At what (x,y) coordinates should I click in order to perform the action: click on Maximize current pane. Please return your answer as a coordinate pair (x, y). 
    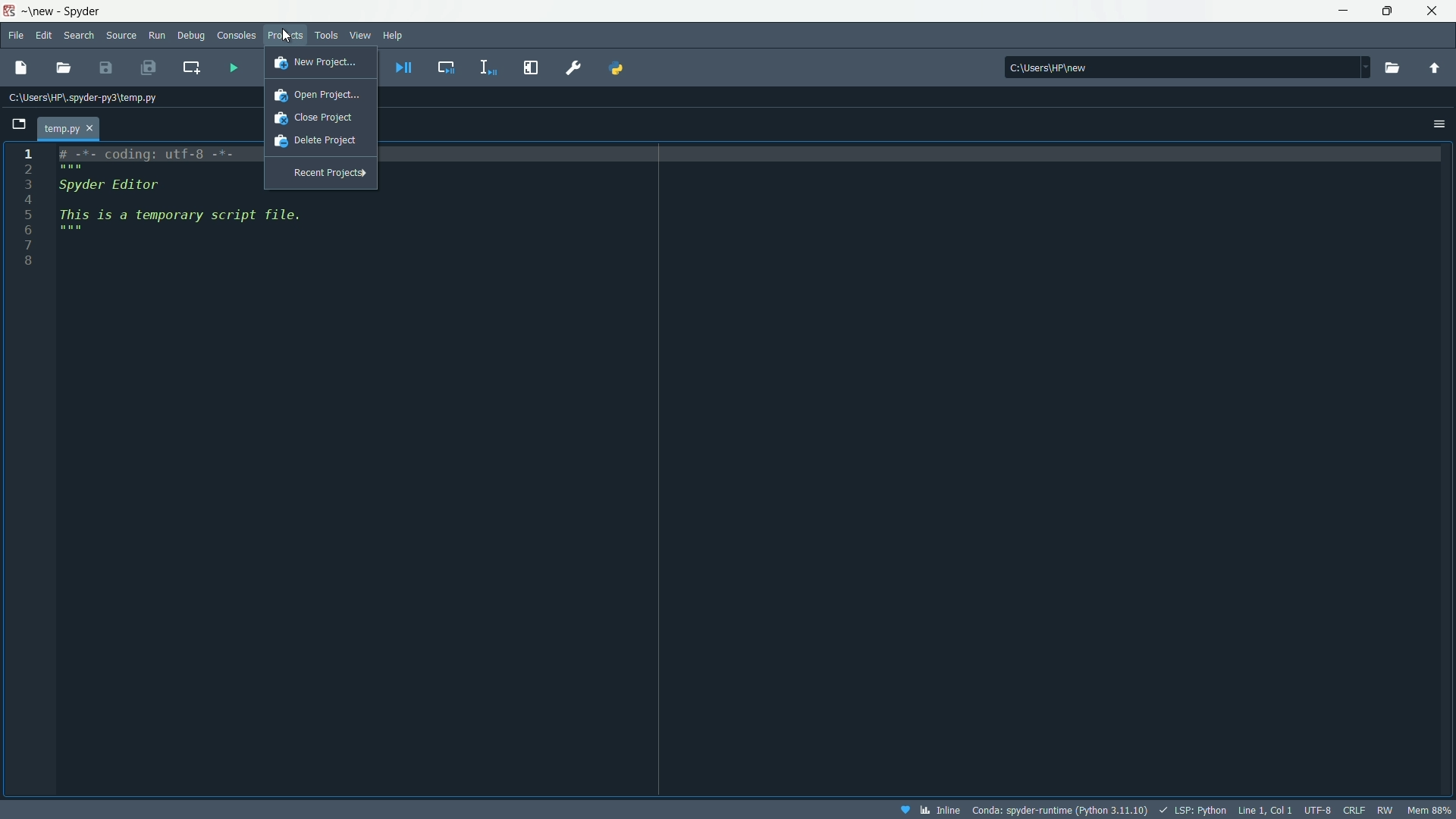
    Looking at the image, I should click on (529, 66).